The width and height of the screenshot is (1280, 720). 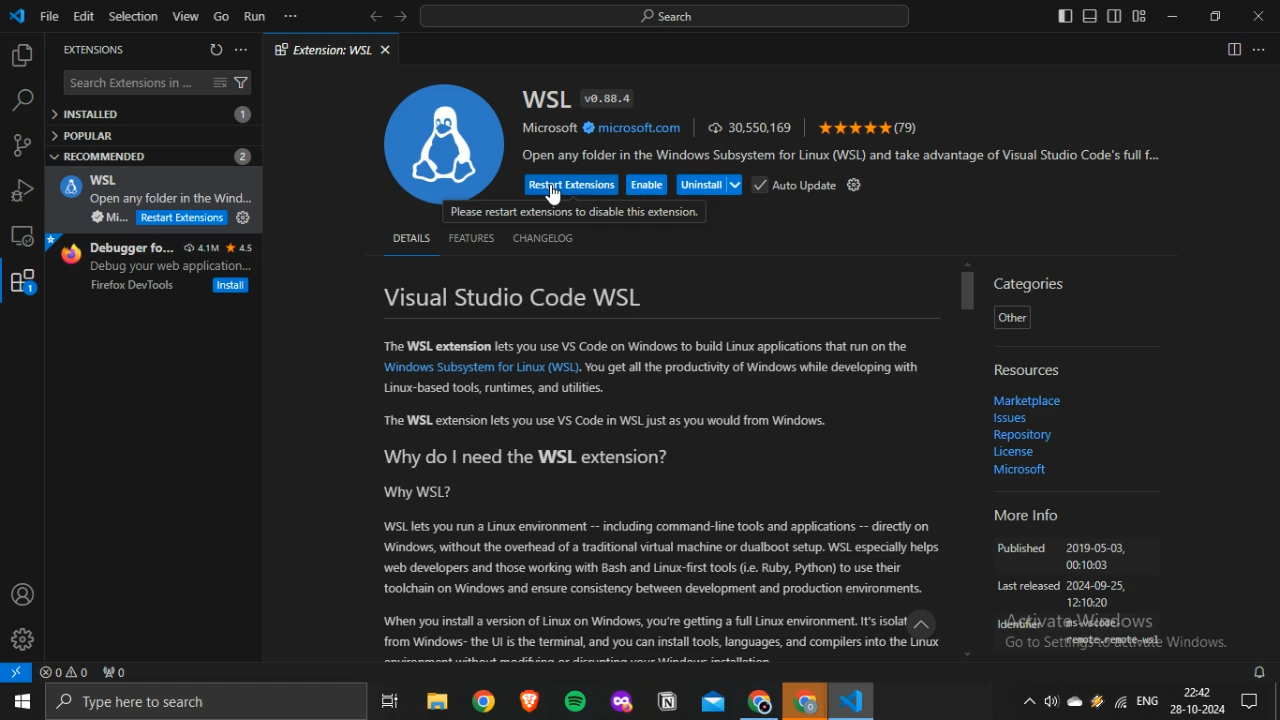 I want to click on Firefox DevTools, so click(x=133, y=286).